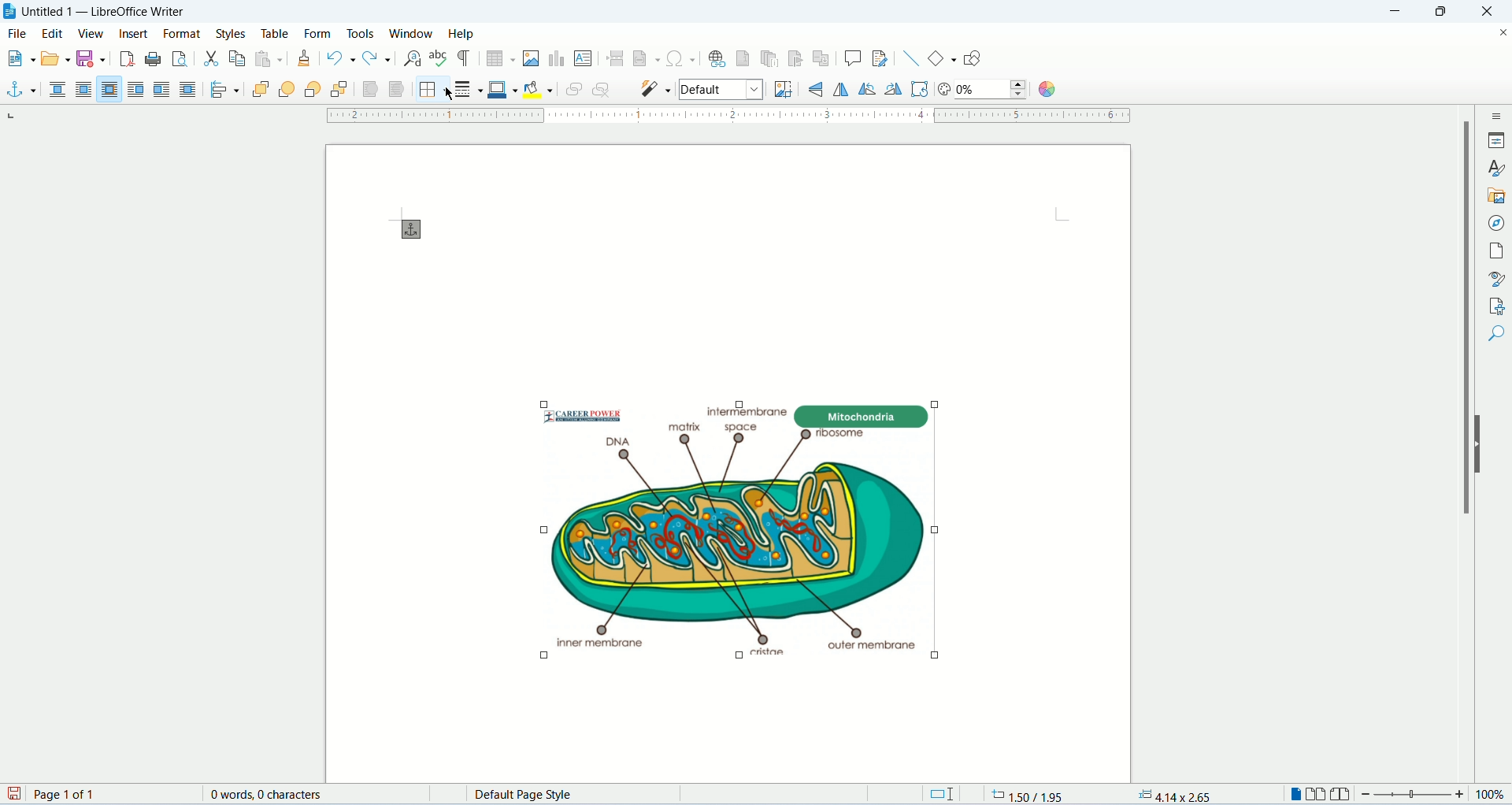 The height and width of the screenshot is (805, 1512). I want to click on before, so click(137, 90).